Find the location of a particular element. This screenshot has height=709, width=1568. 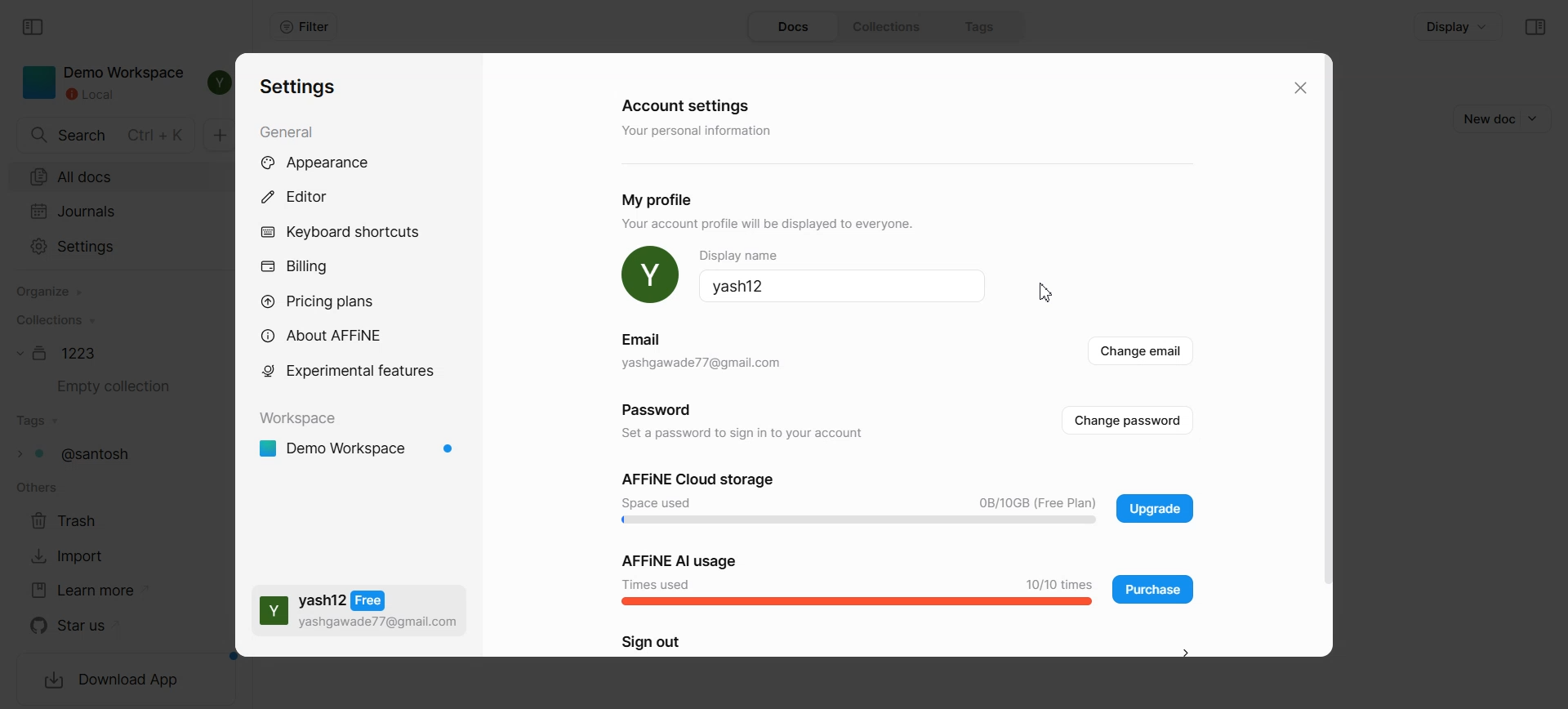

Collections is located at coordinates (54, 319).